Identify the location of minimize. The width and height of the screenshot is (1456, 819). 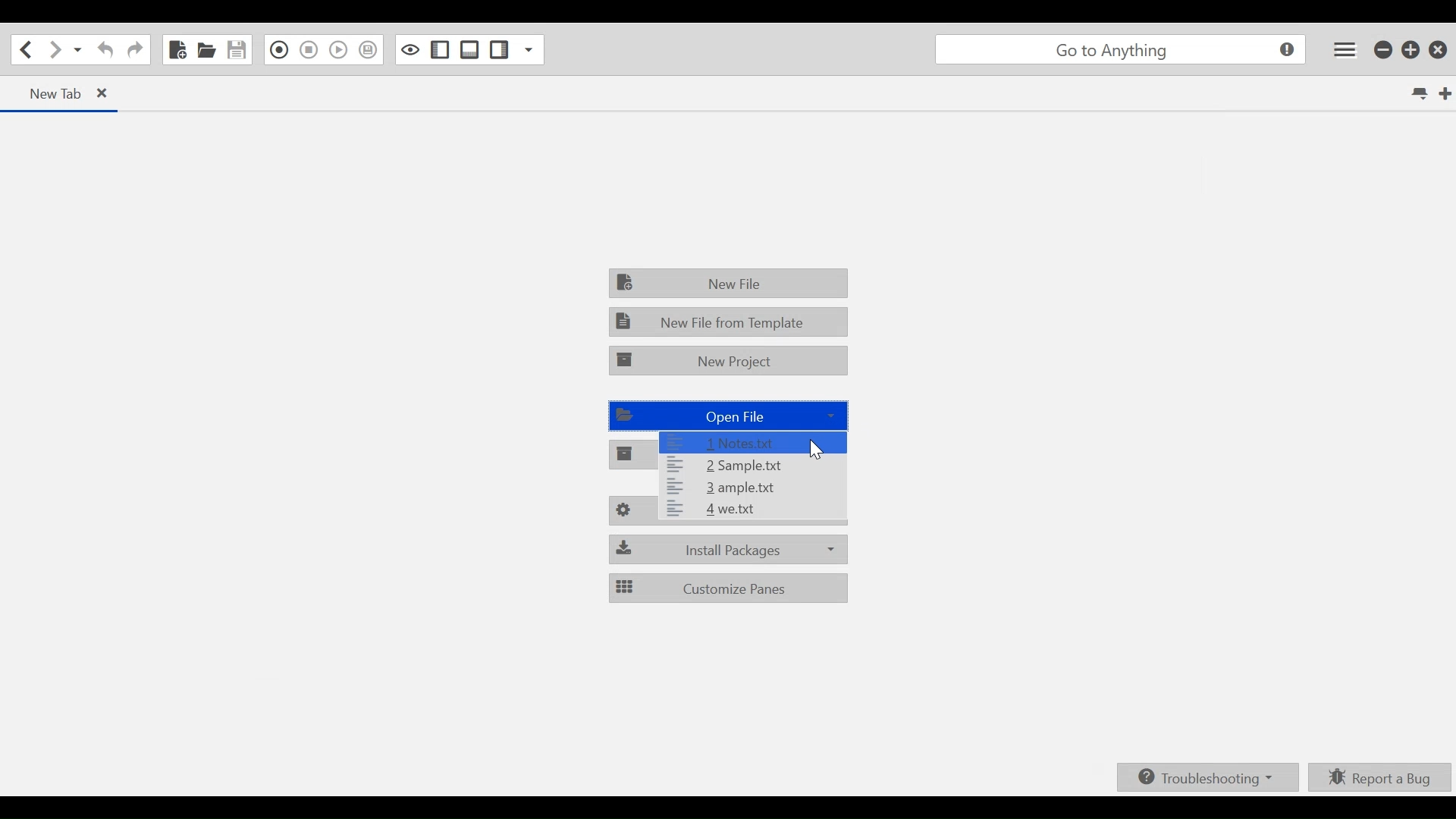
(1385, 49).